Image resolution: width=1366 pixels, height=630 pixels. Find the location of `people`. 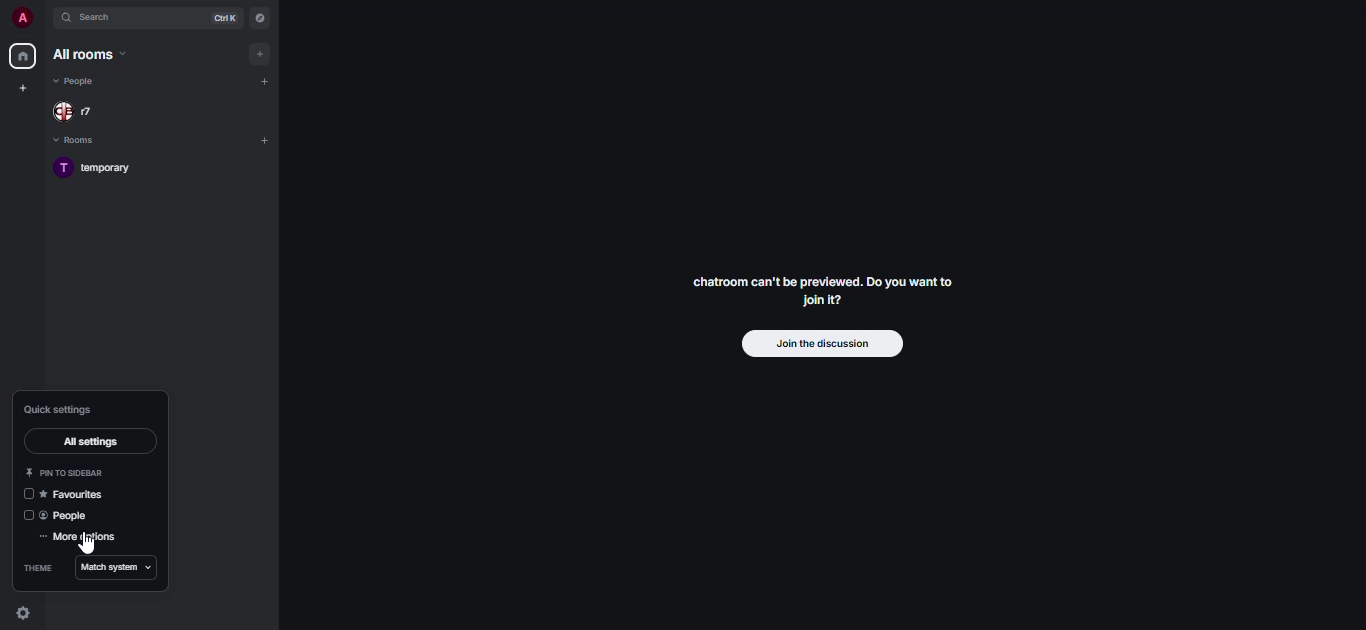

people is located at coordinates (69, 516).